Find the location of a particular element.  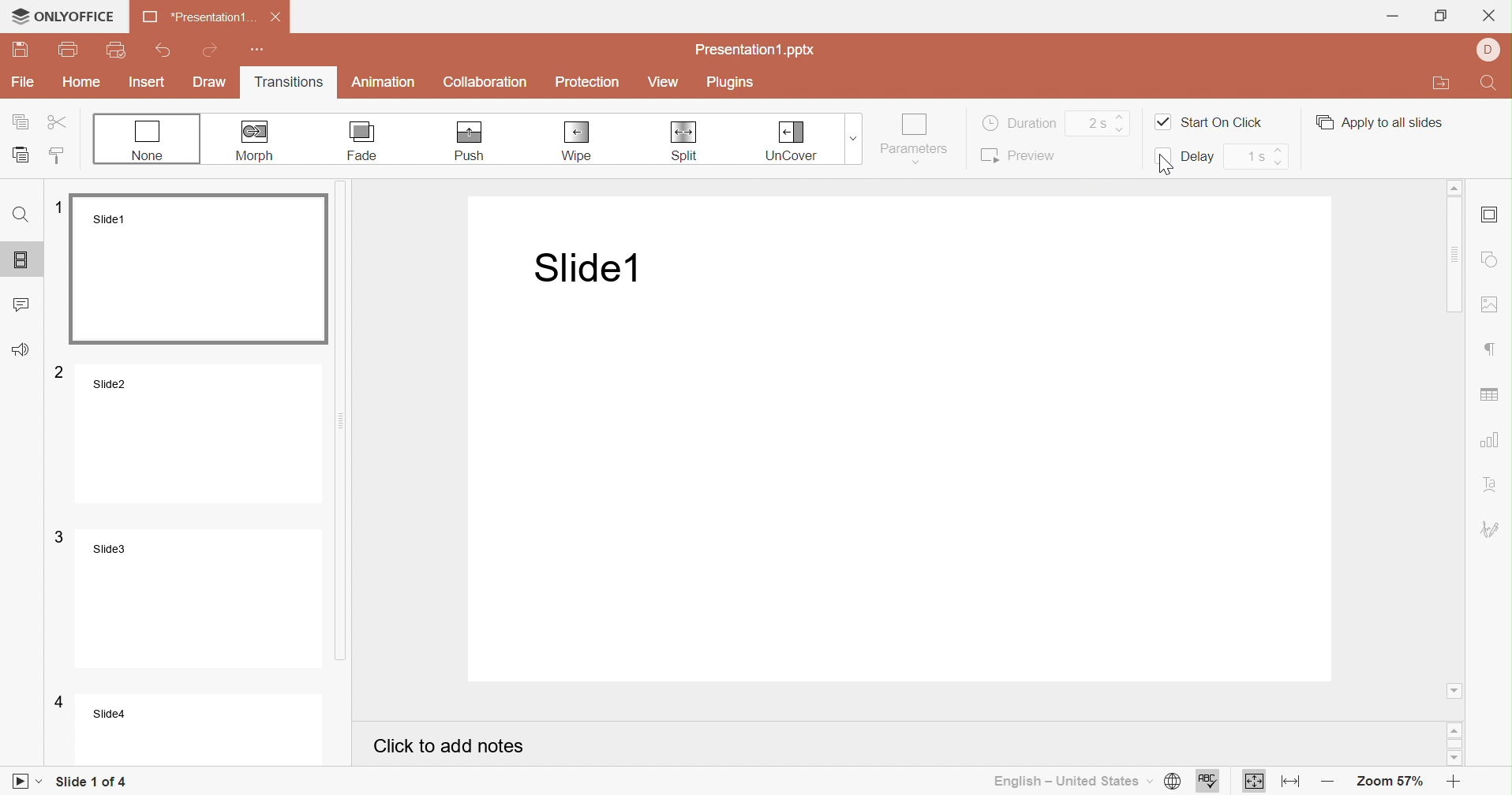

Preview is located at coordinates (1017, 155).